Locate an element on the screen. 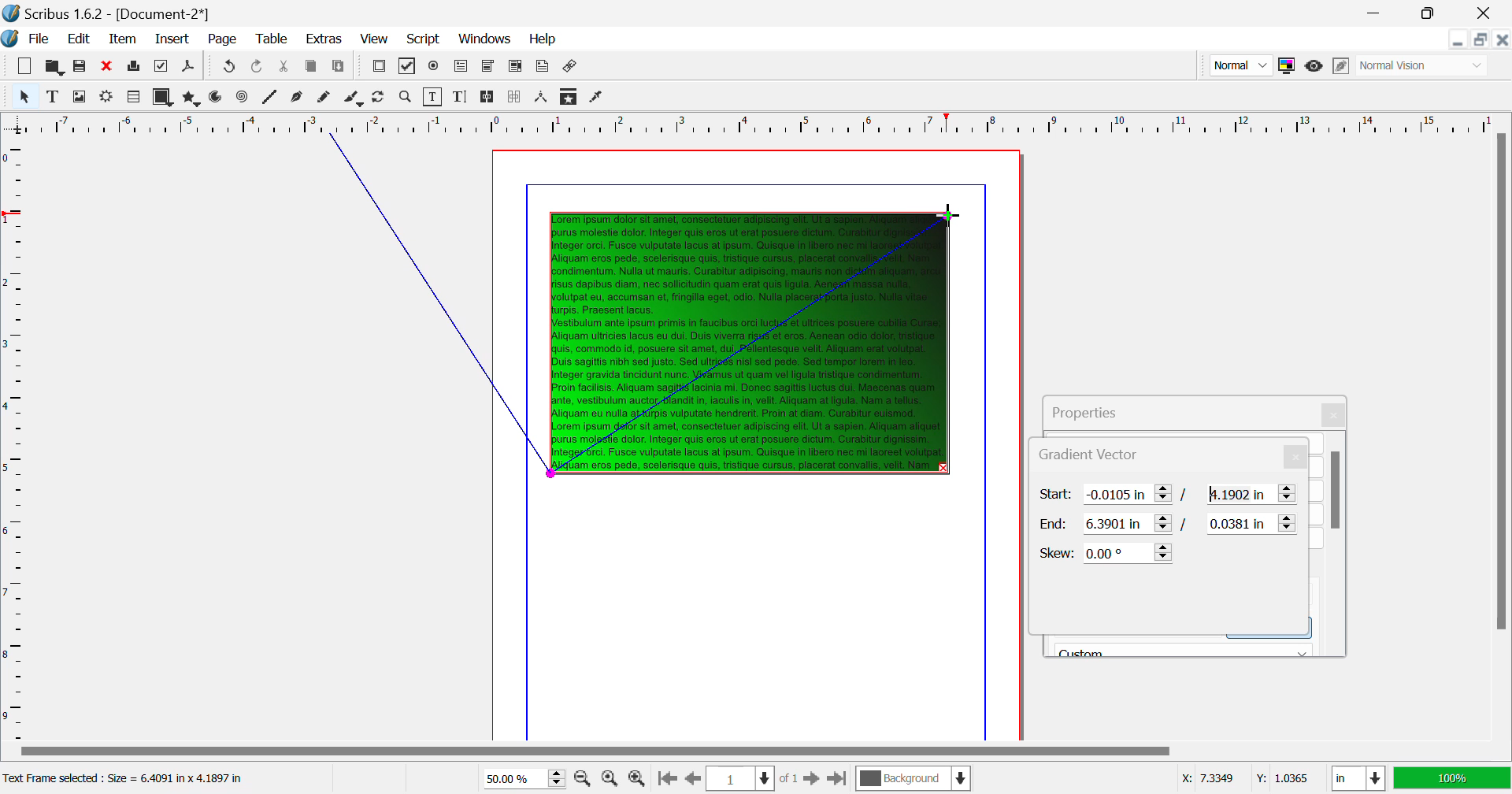 The image size is (1512, 794). Link Annotation is located at coordinates (572, 68).